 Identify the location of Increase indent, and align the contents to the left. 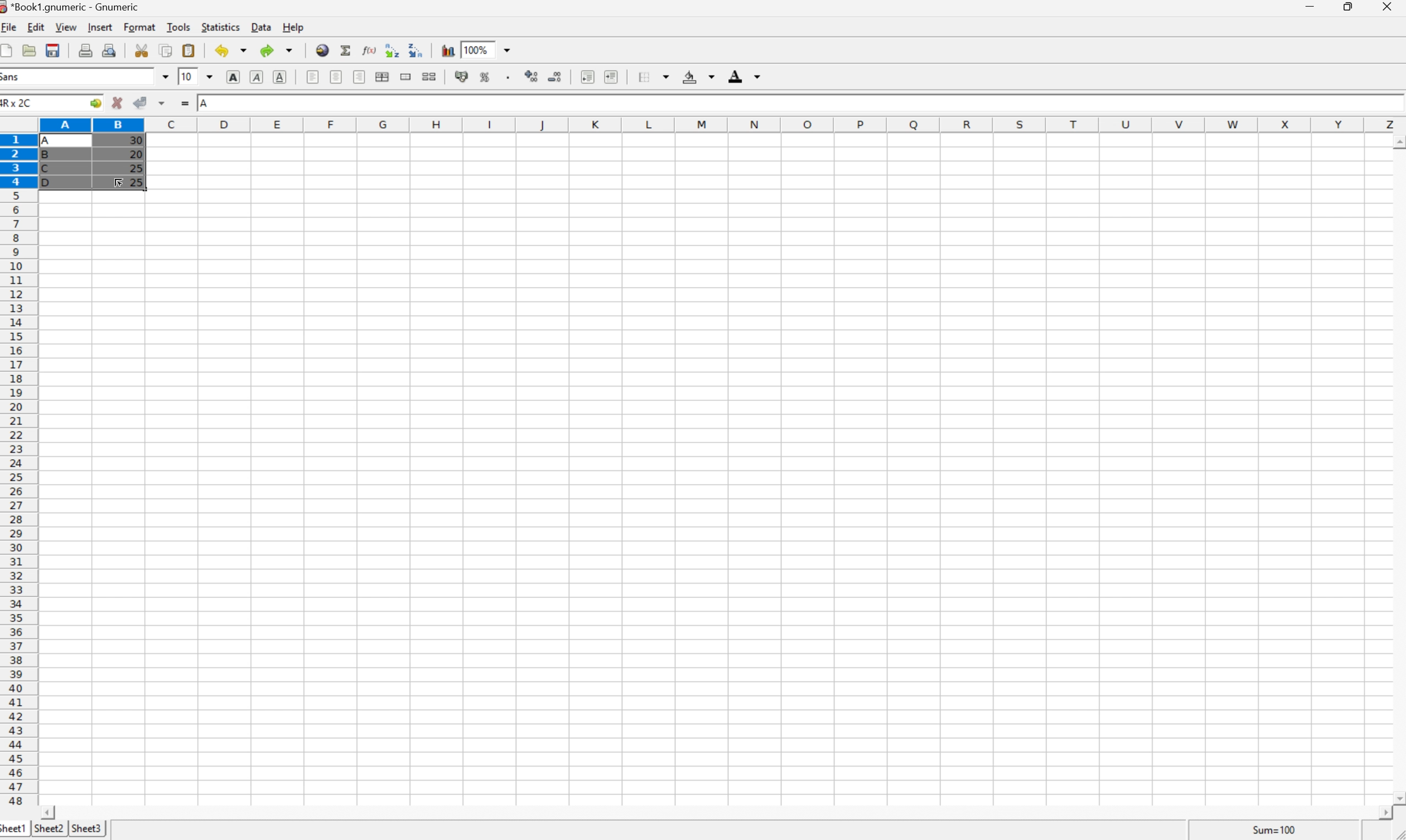
(614, 77).